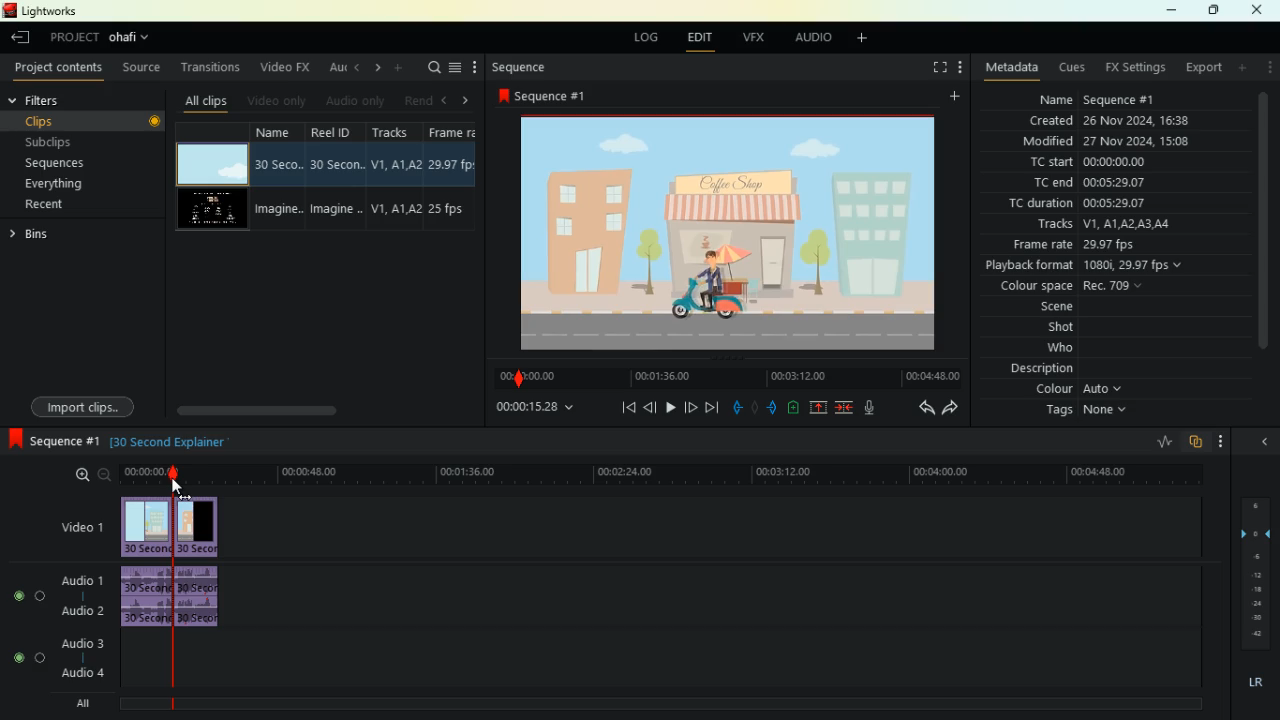  I want to click on up, so click(818, 408).